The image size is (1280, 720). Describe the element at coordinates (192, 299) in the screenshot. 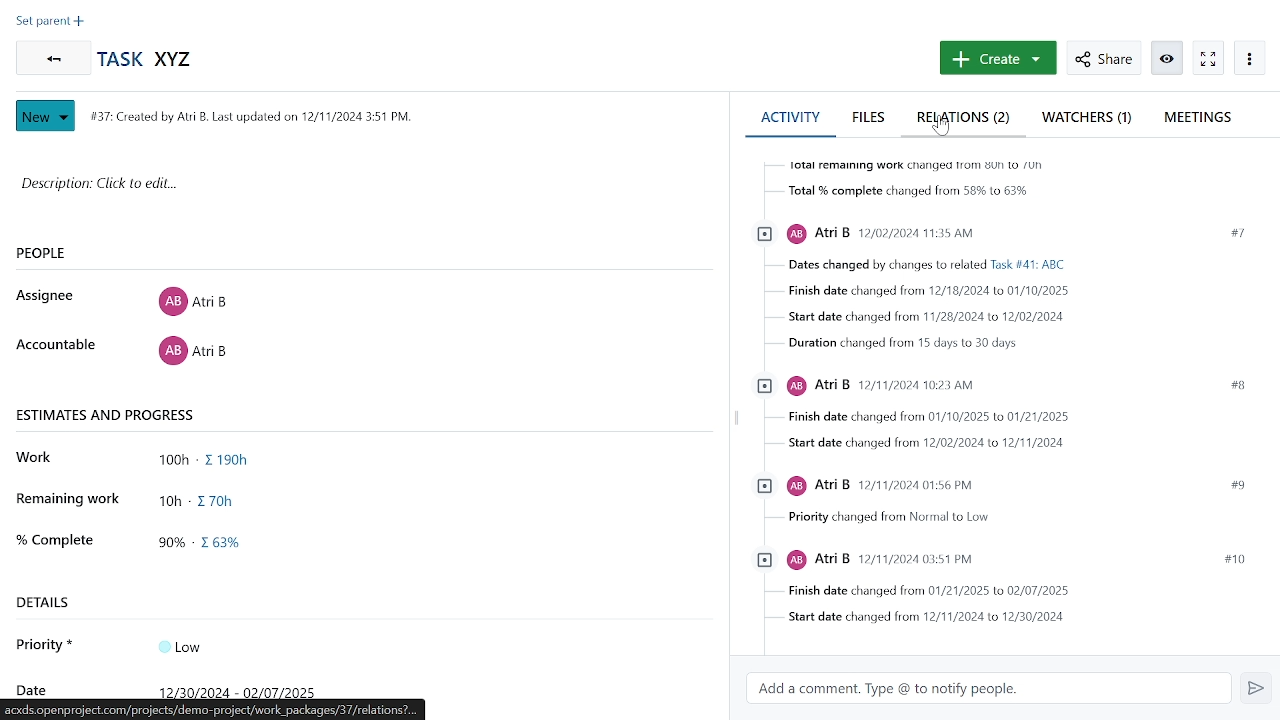

I see `Assignee` at that location.